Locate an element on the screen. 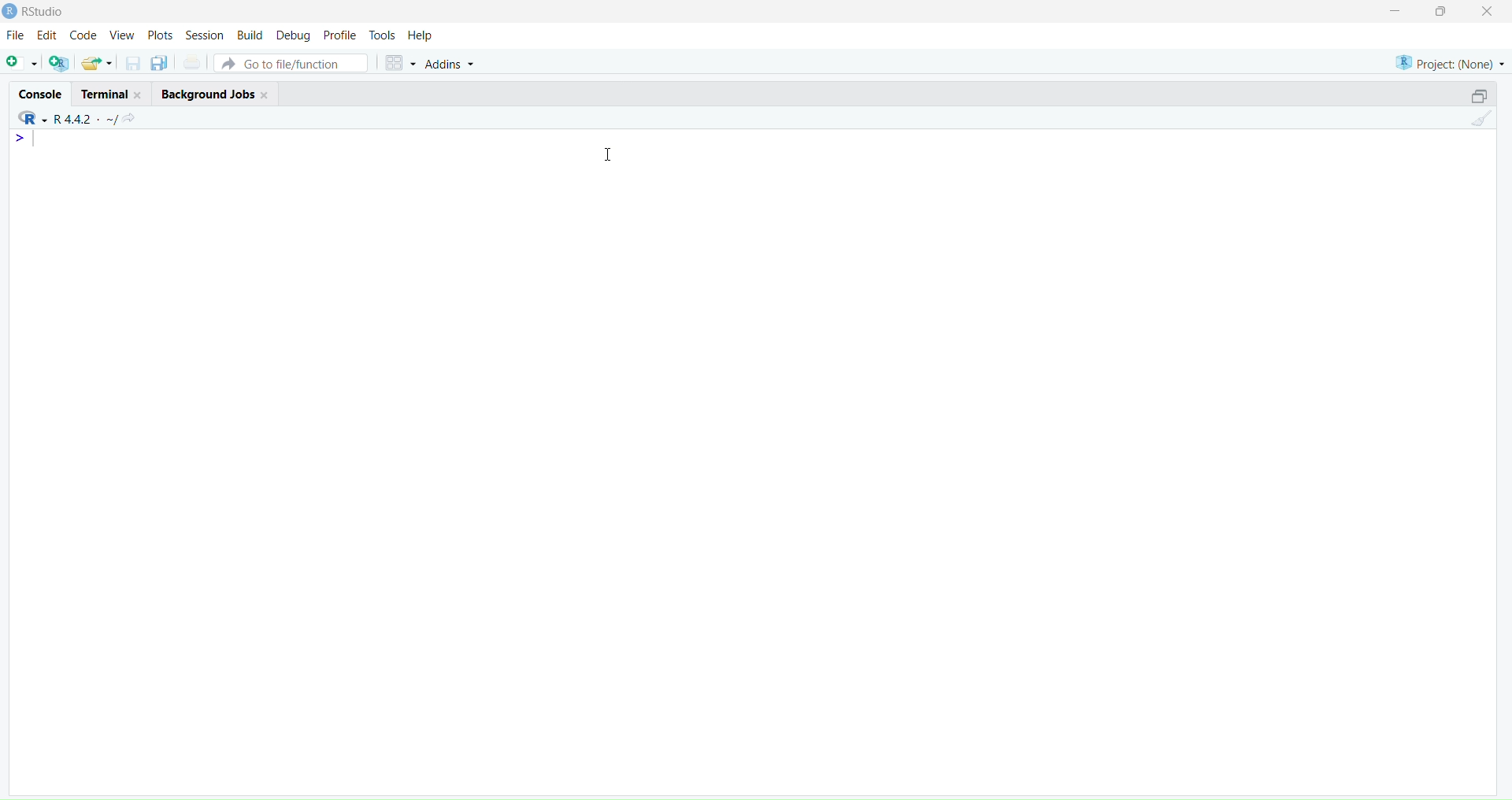 The width and height of the screenshot is (1512, 800). ) RStudio is located at coordinates (40, 9).